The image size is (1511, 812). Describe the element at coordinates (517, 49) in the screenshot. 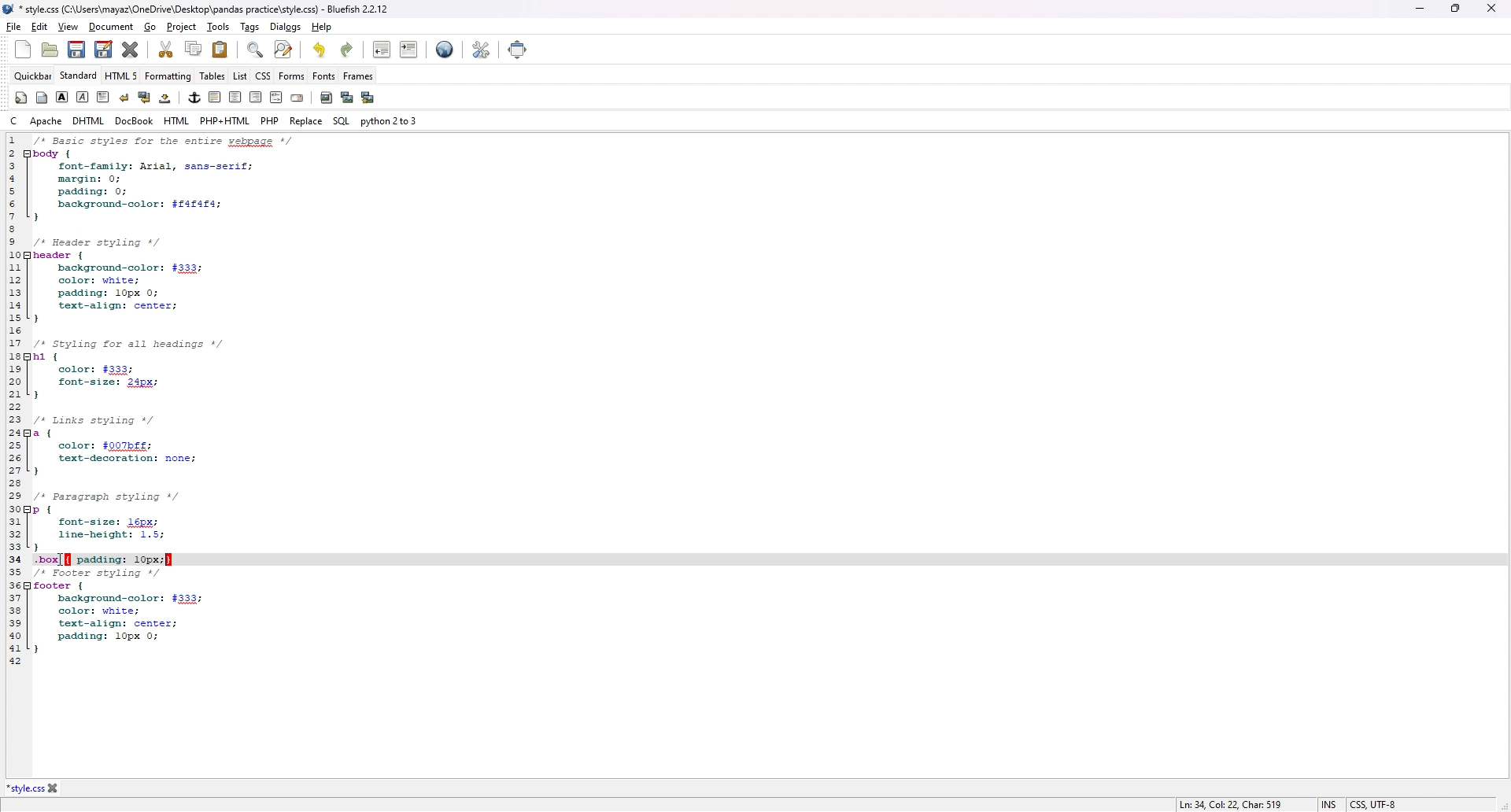

I see `full screen` at that location.